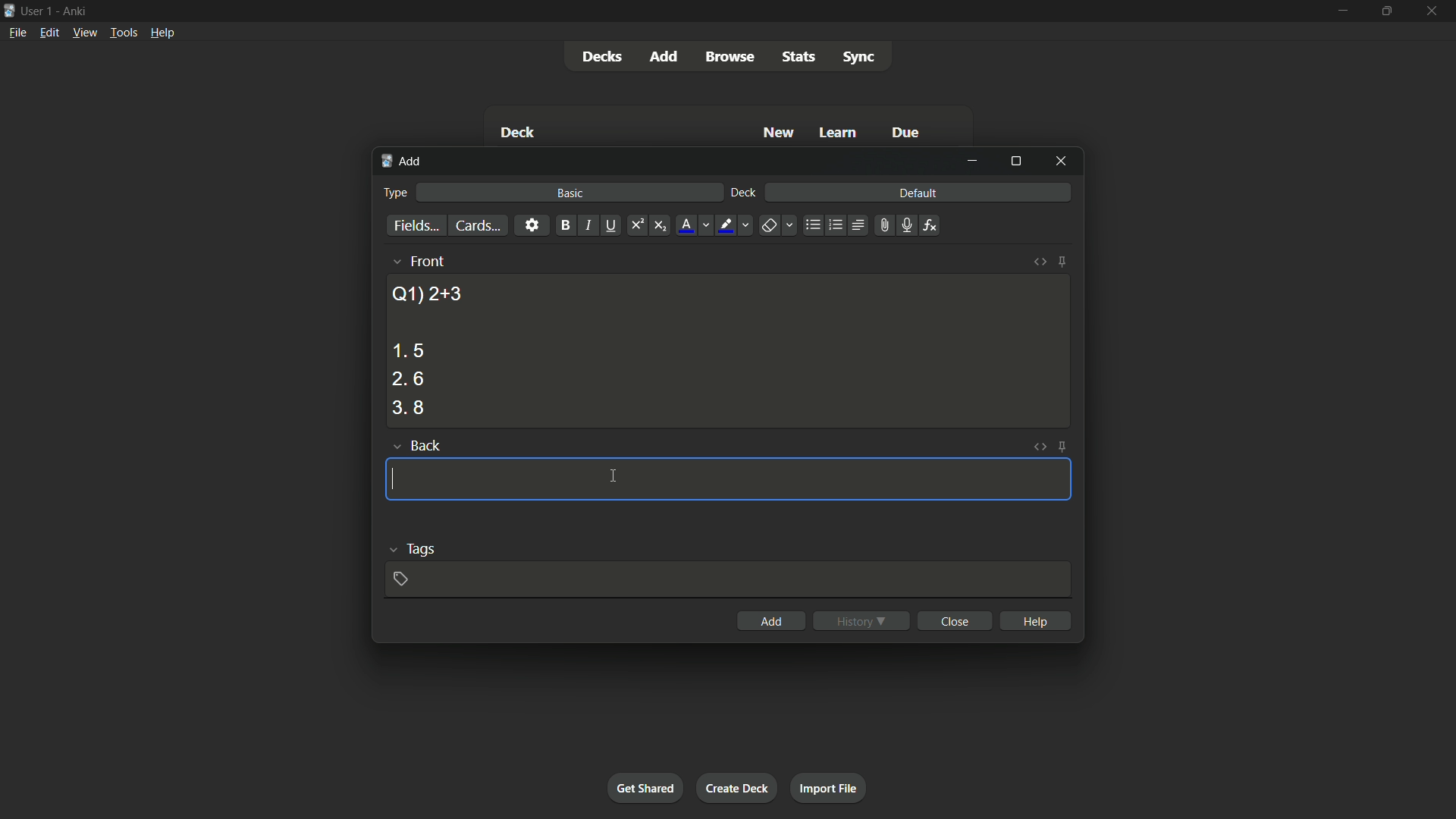 The height and width of the screenshot is (819, 1456). What do you see at coordinates (827, 786) in the screenshot?
I see `import file` at bounding box center [827, 786].